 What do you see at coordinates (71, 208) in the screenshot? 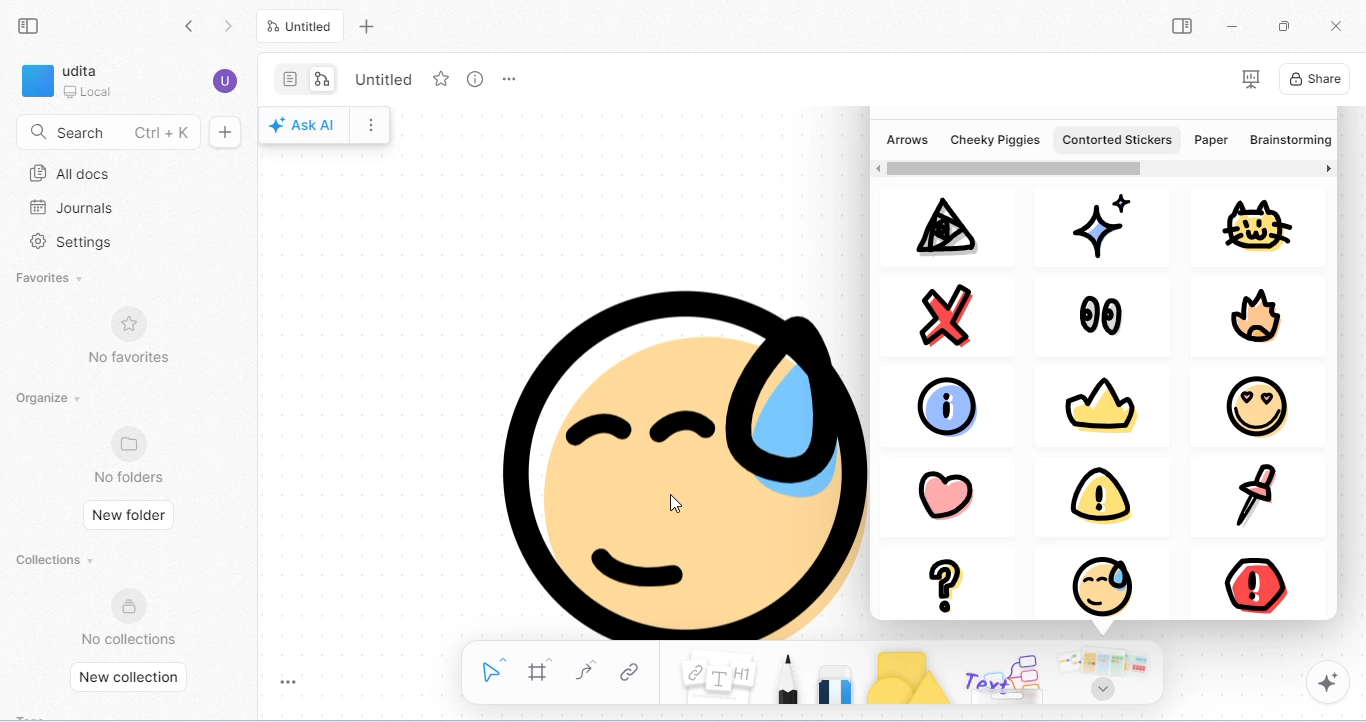
I see `journals` at bounding box center [71, 208].